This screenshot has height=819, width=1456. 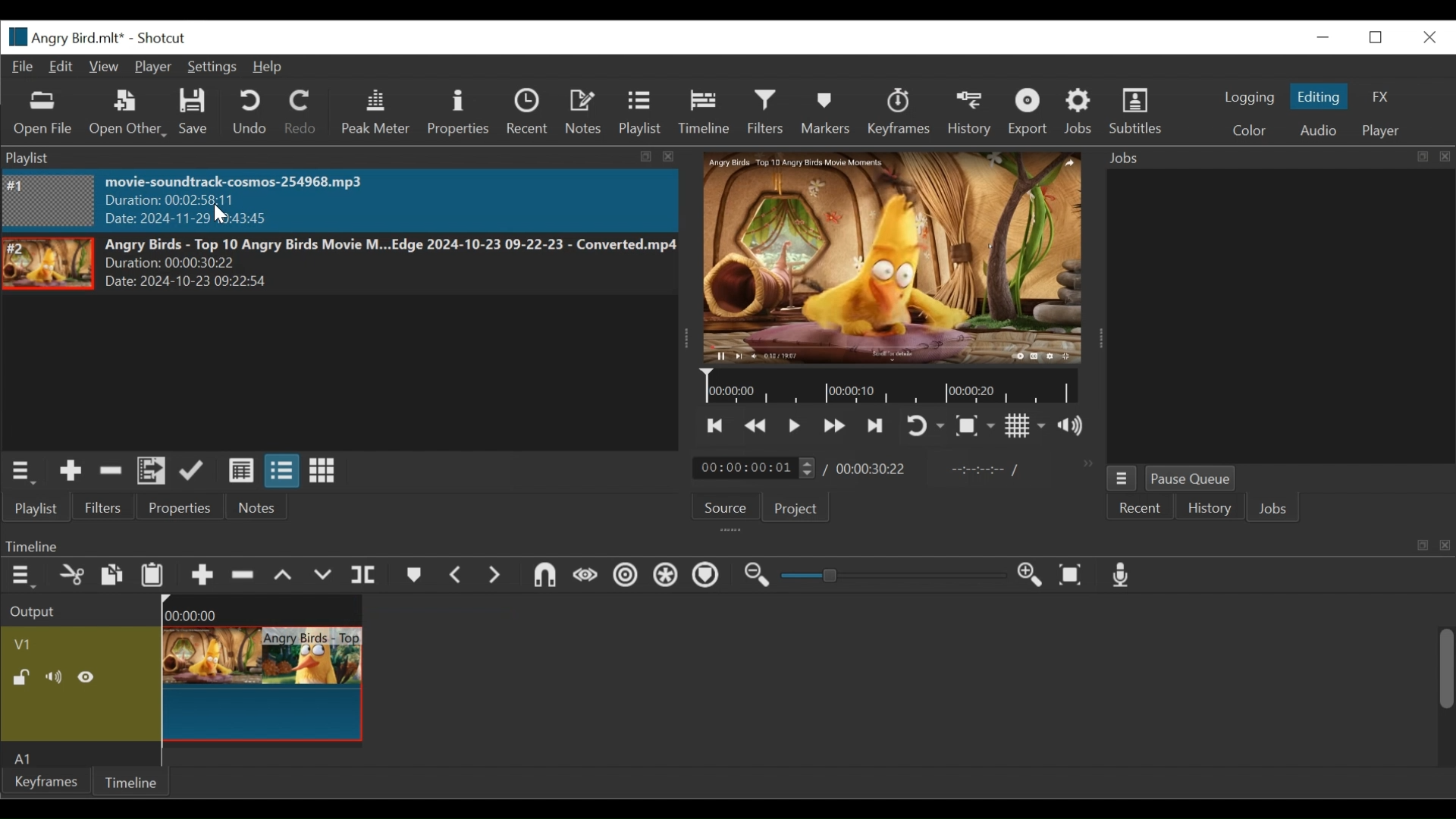 I want to click on Cursor, so click(x=220, y=214).